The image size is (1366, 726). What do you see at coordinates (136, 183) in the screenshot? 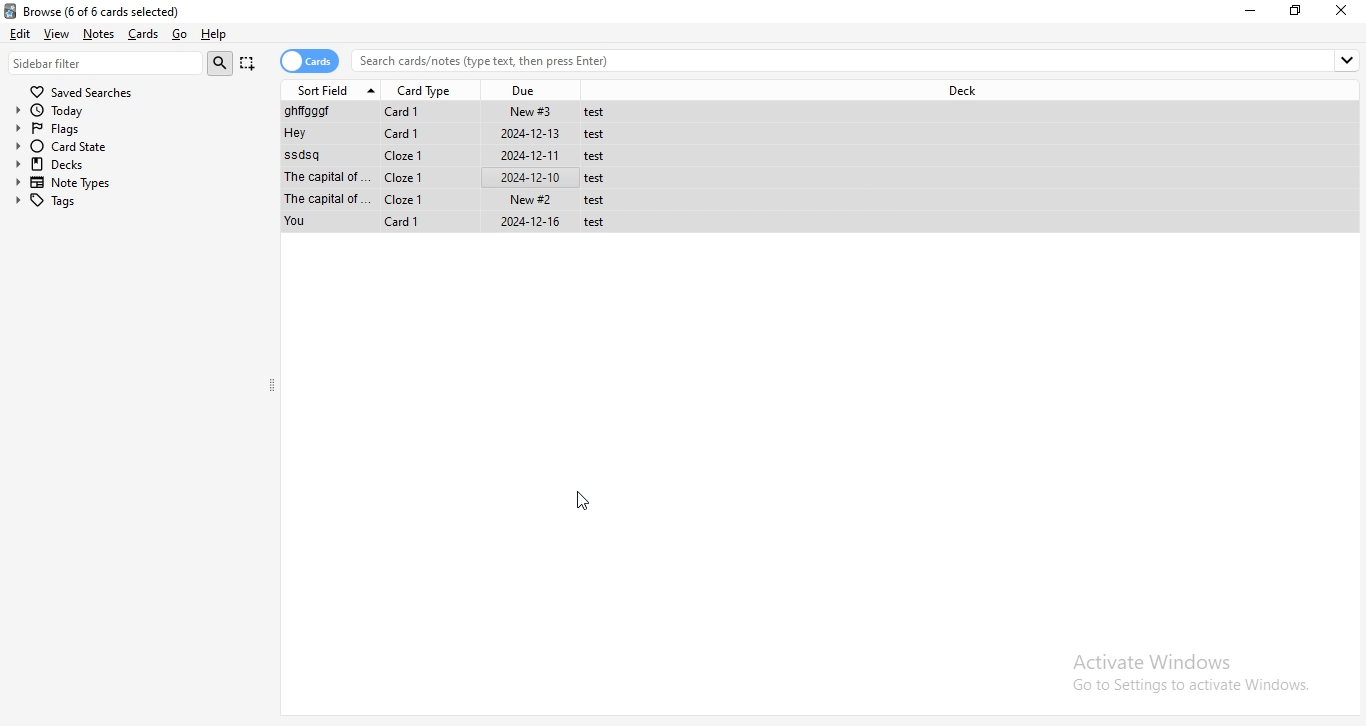
I see `note types` at bounding box center [136, 183].